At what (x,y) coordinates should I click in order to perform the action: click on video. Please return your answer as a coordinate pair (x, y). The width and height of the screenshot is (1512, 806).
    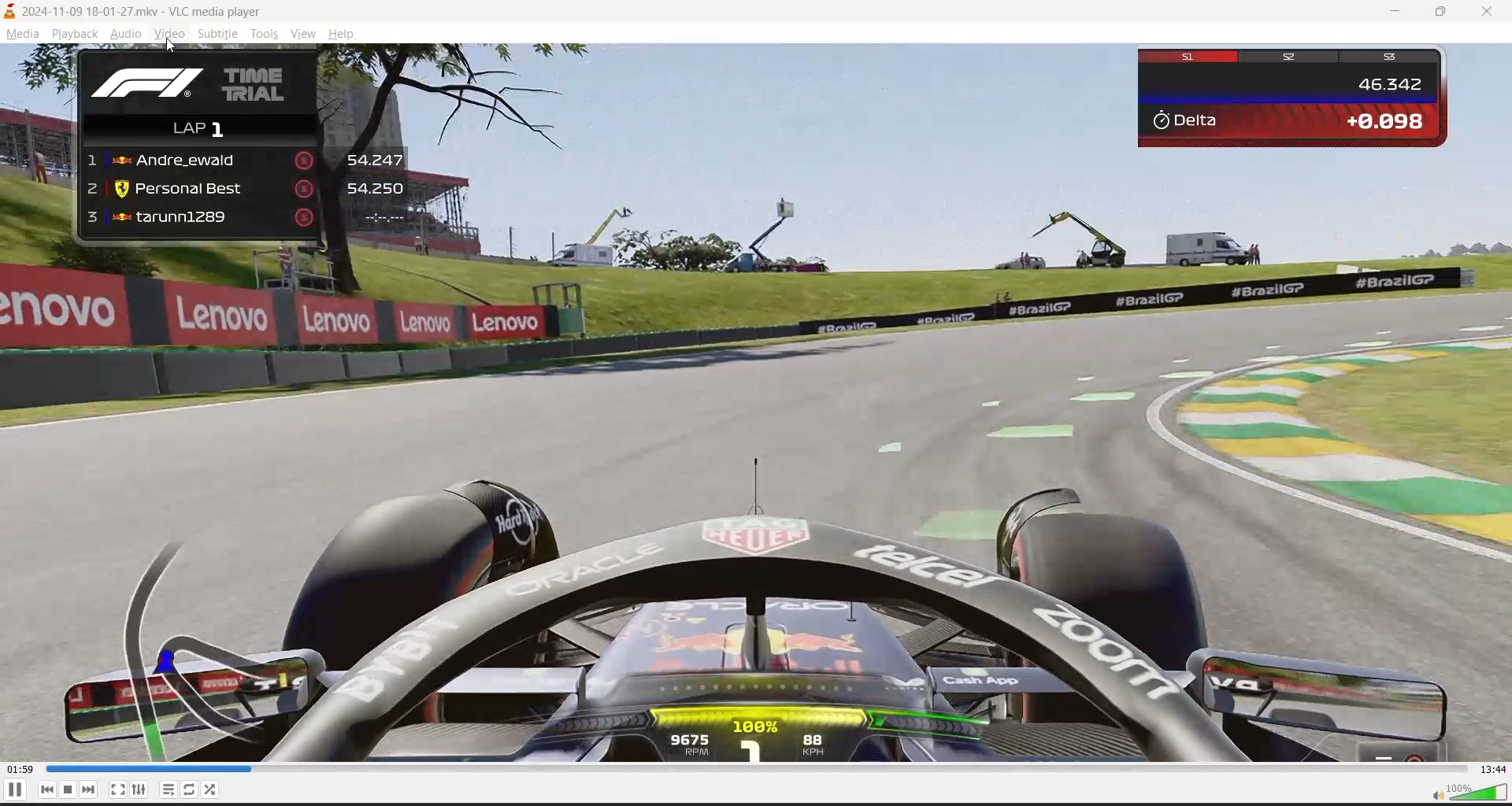
    Looking at the image, I should click on (756, 403).